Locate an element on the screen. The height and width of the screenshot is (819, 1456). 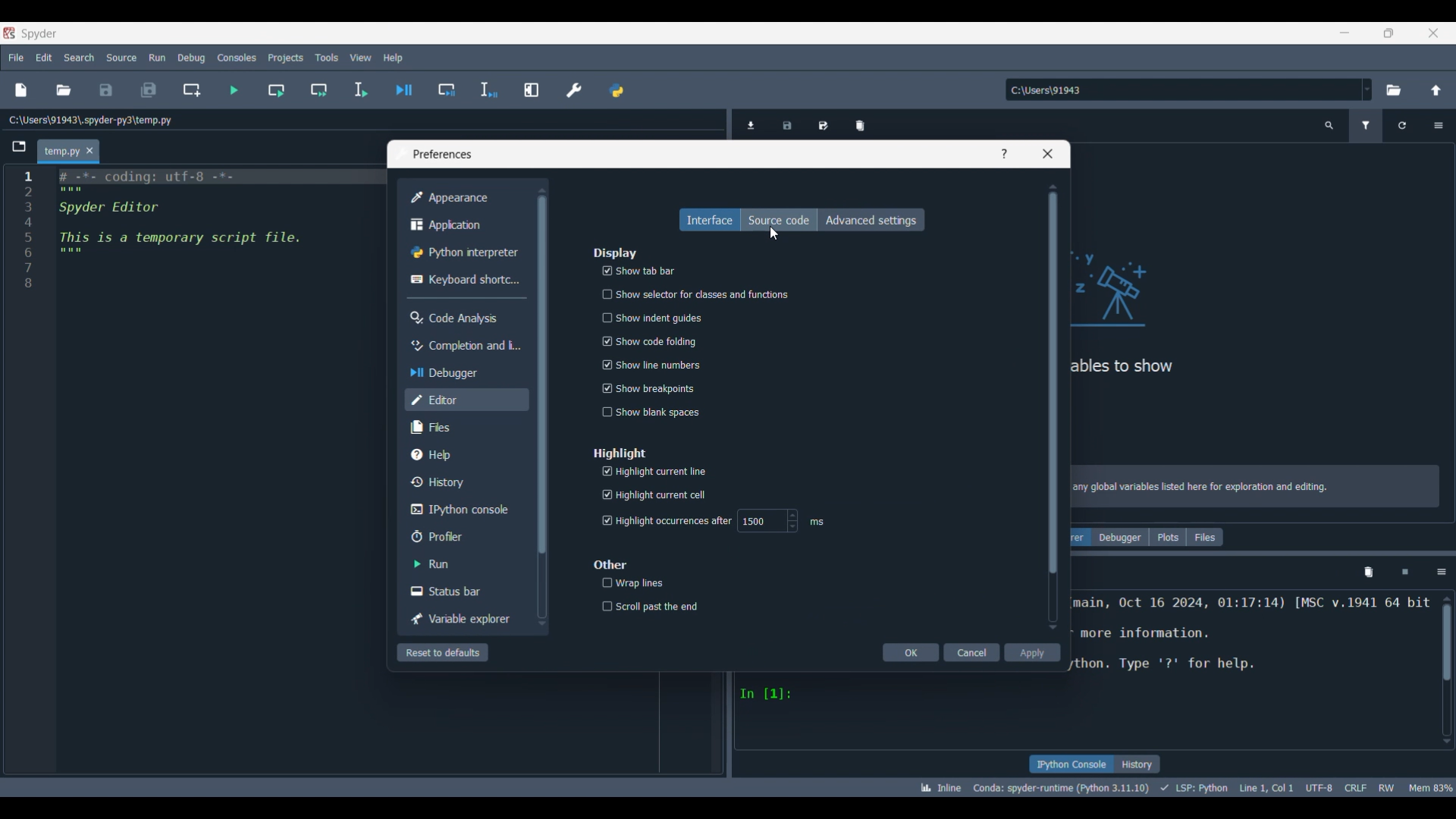
Show indent guides is located at coordinates (656, 318).